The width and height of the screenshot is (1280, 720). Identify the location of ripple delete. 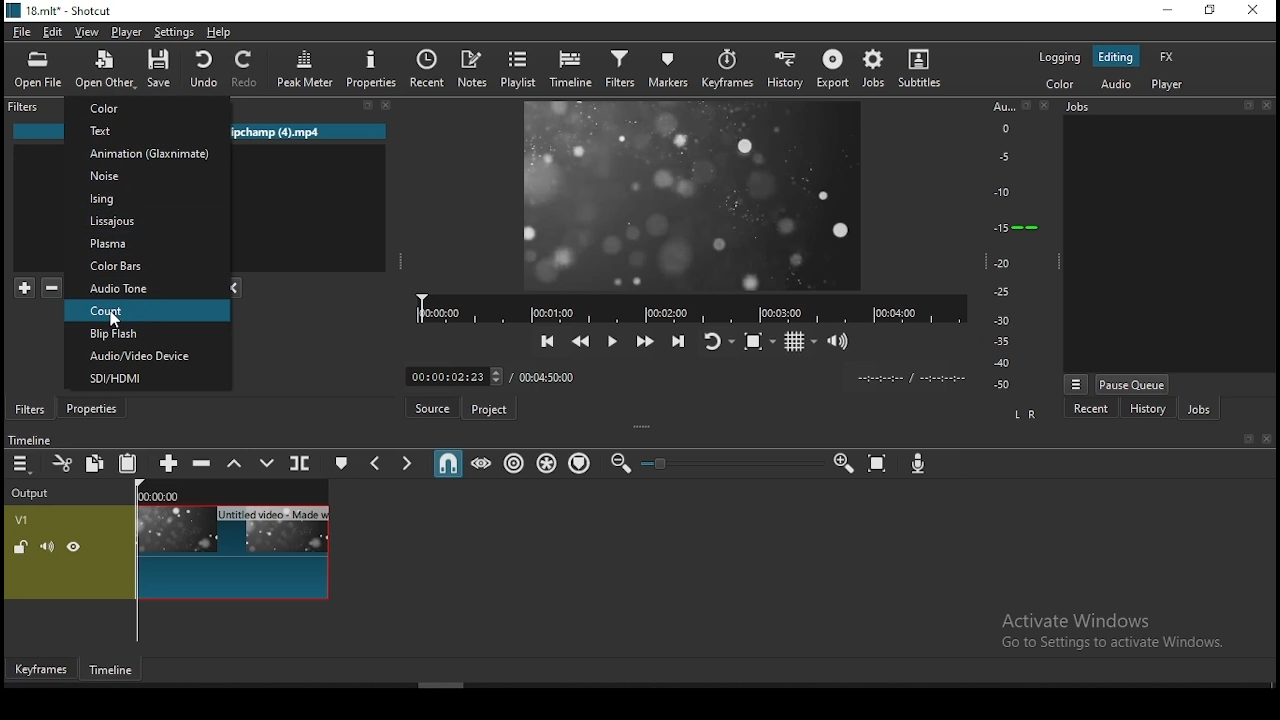
(203, 465).